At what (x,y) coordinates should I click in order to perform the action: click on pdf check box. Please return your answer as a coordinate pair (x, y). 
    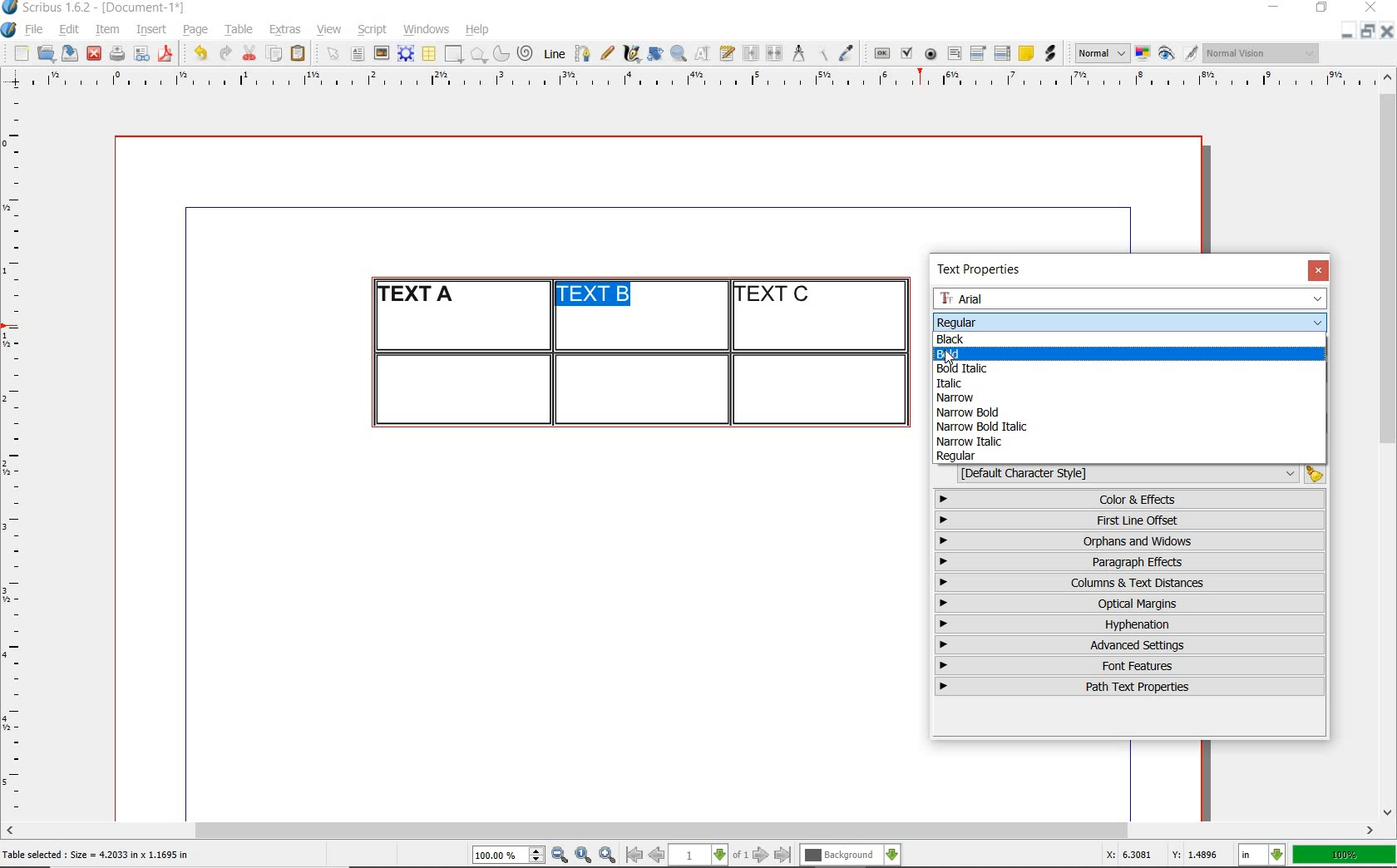
    Looking at the image, I should click on (906, 54).